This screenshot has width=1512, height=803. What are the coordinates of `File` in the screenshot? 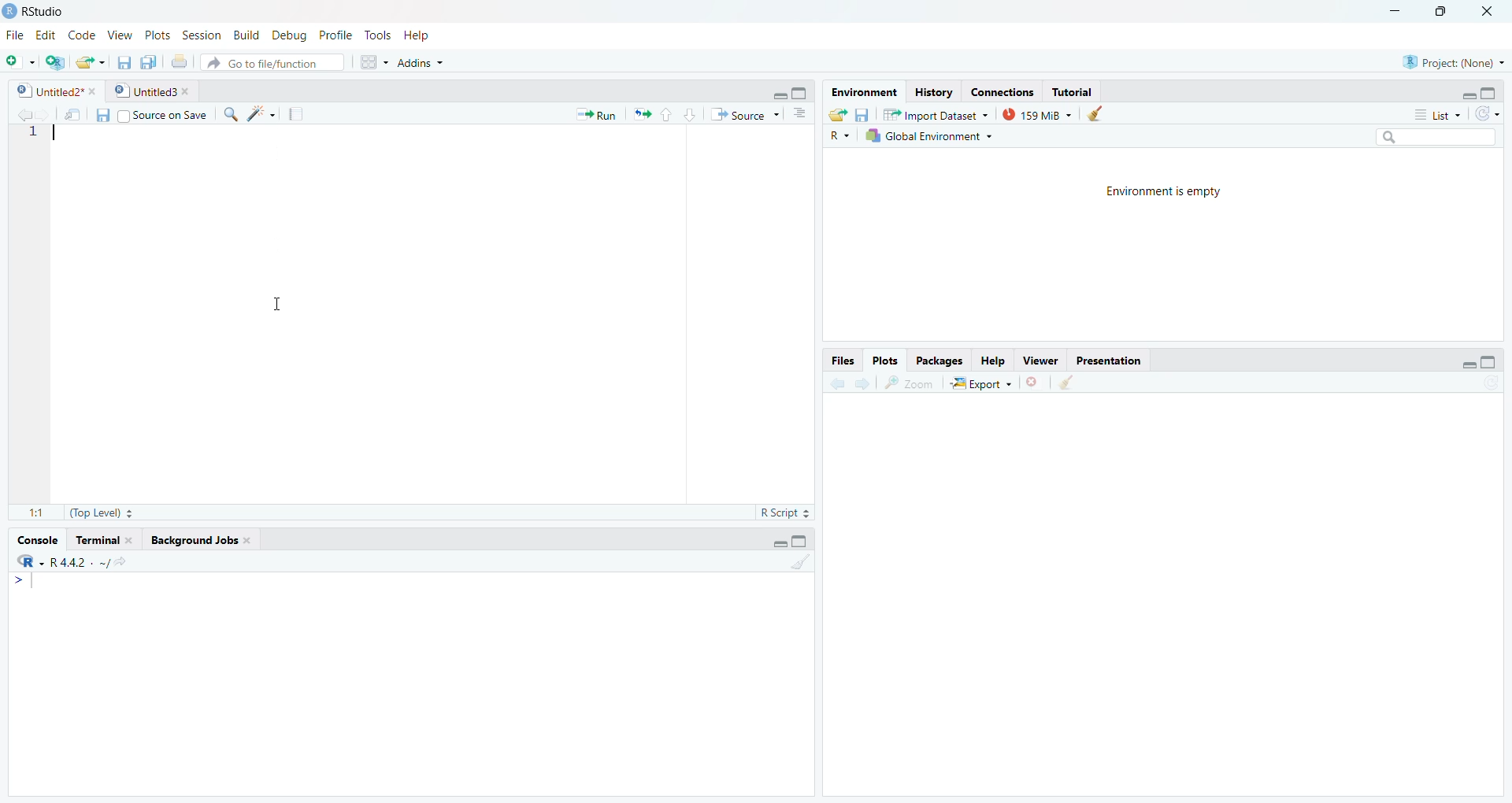 It's located at (15, 35).